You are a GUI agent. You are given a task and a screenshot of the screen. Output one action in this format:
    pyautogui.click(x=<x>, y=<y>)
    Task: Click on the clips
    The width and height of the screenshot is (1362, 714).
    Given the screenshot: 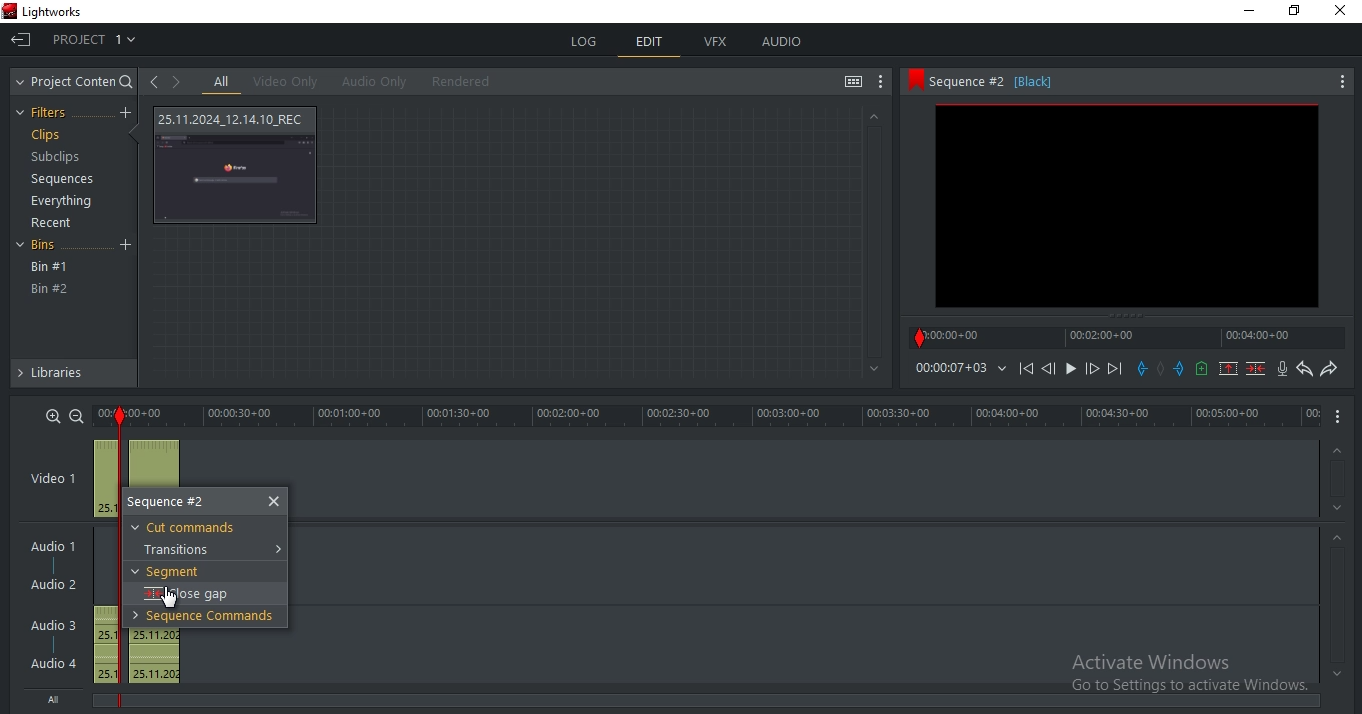 What is the action you would take?
    pyautogui.click(x=45, y=135)
    